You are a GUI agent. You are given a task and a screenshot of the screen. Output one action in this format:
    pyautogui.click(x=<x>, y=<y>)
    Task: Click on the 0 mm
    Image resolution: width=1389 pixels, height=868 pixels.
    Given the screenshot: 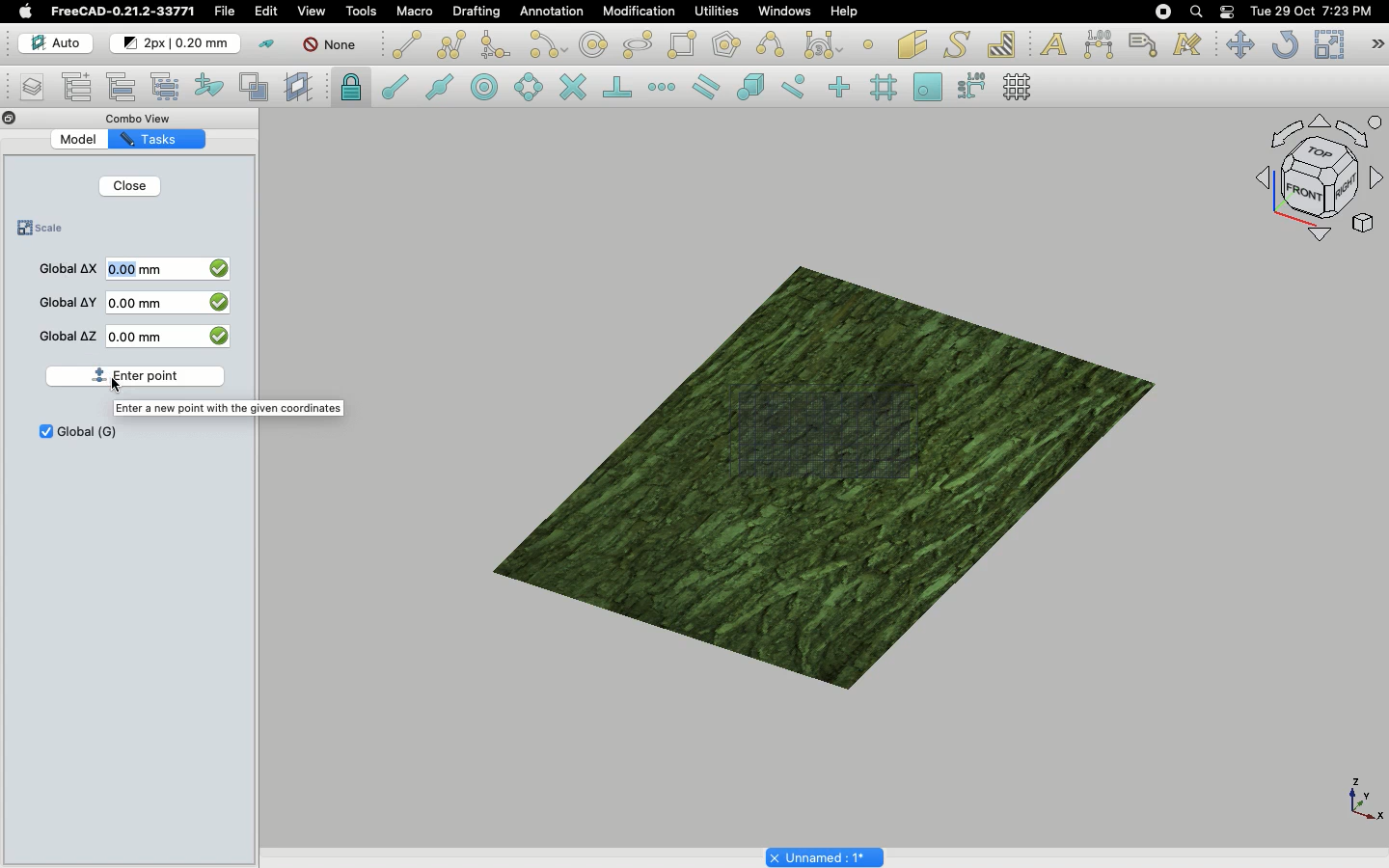 What is the action you would take?
    pyautogui.click(x=166, y=304)
    